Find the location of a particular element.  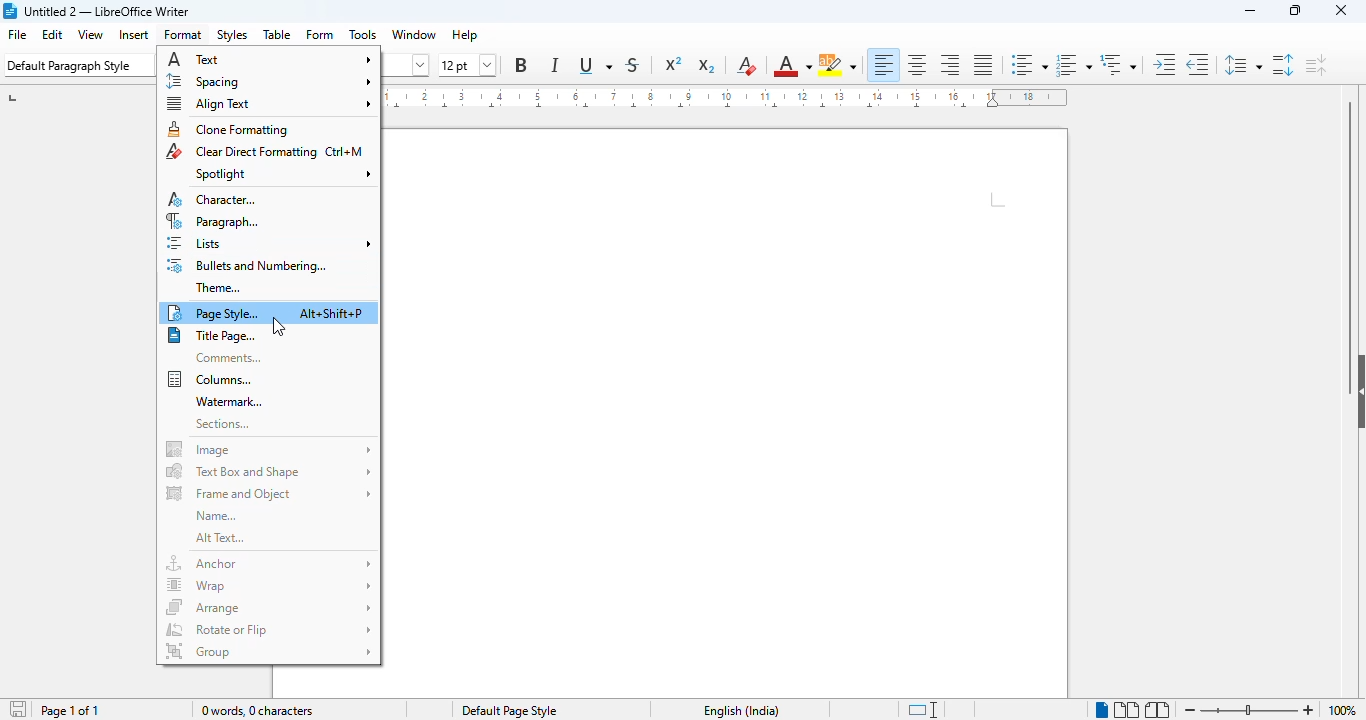

watermark is located at coordinates (226, 402).